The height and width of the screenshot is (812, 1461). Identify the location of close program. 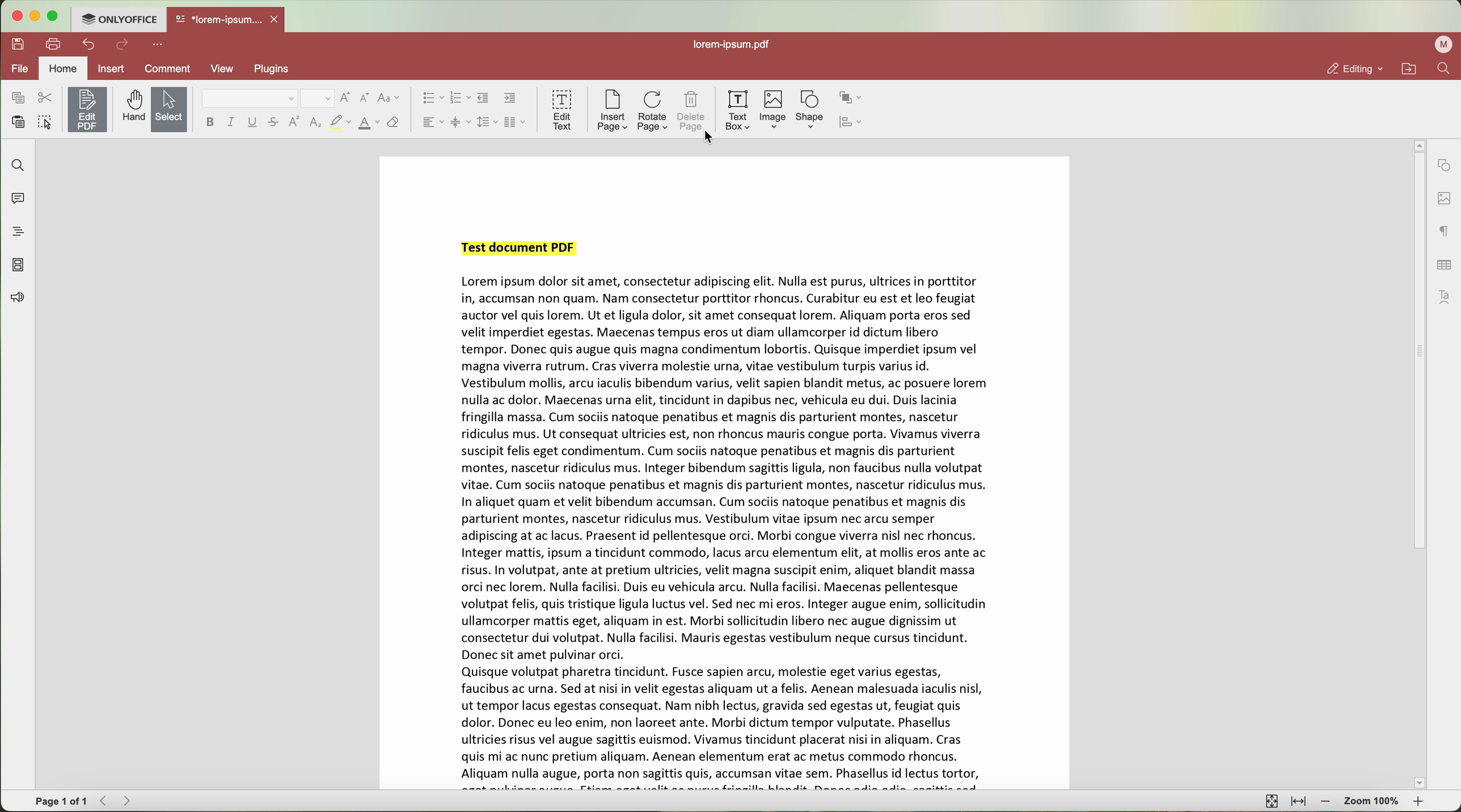
(14, 16).